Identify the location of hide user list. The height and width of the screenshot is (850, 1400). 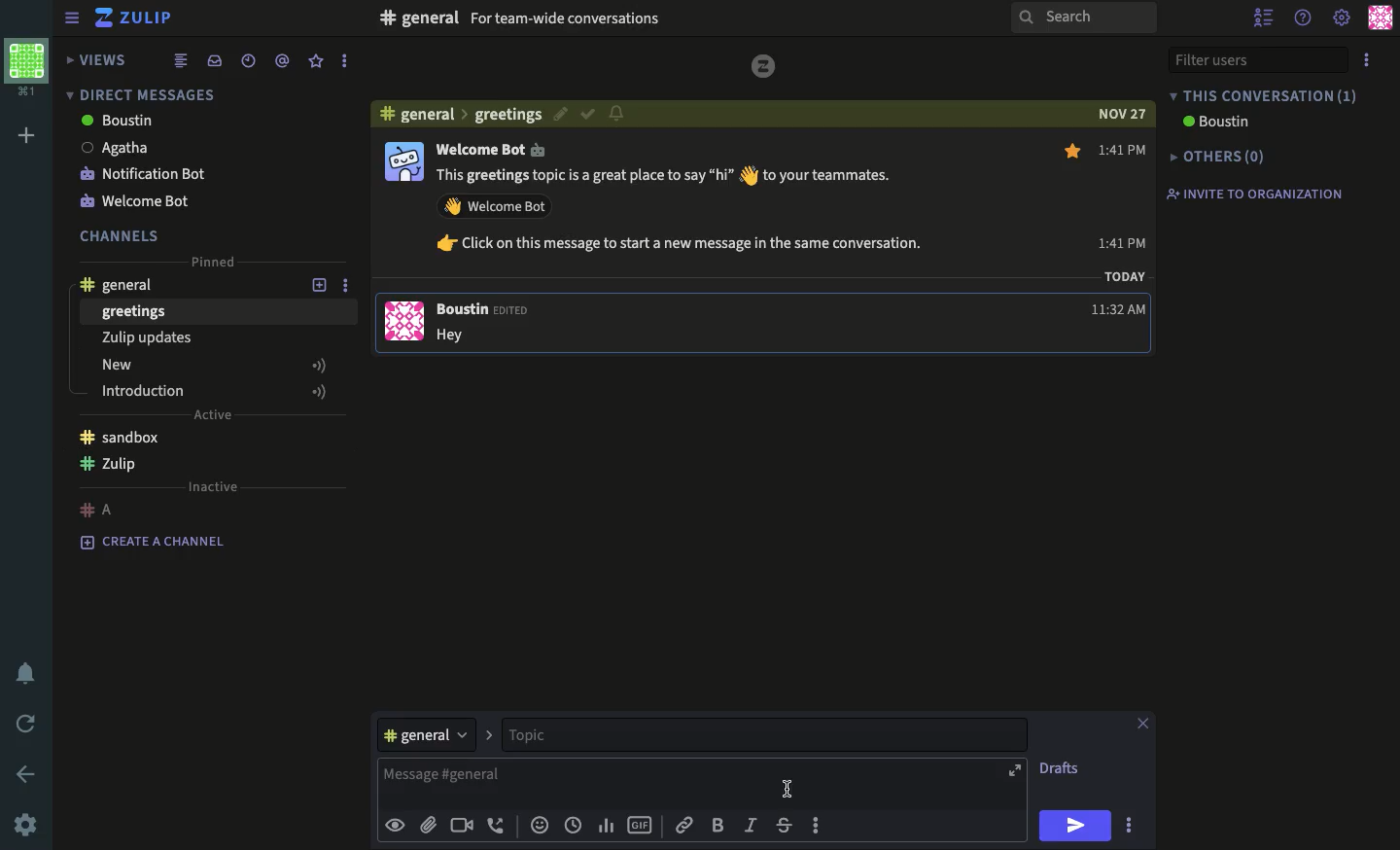
(1264, 15).